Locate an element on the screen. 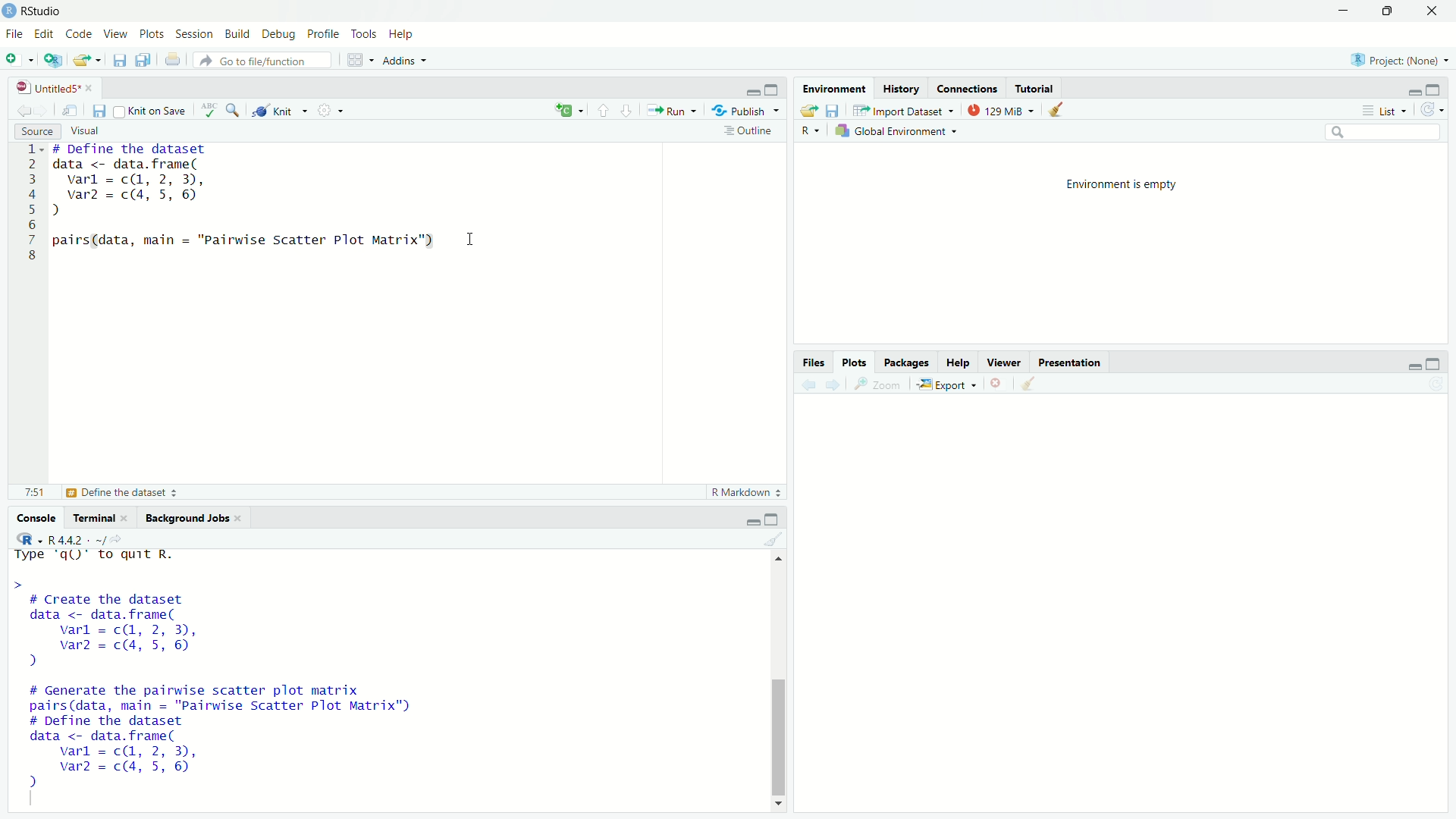 This screenshot has width=1456, height=819. # Define the dataset is located at coordinates (125, 493).